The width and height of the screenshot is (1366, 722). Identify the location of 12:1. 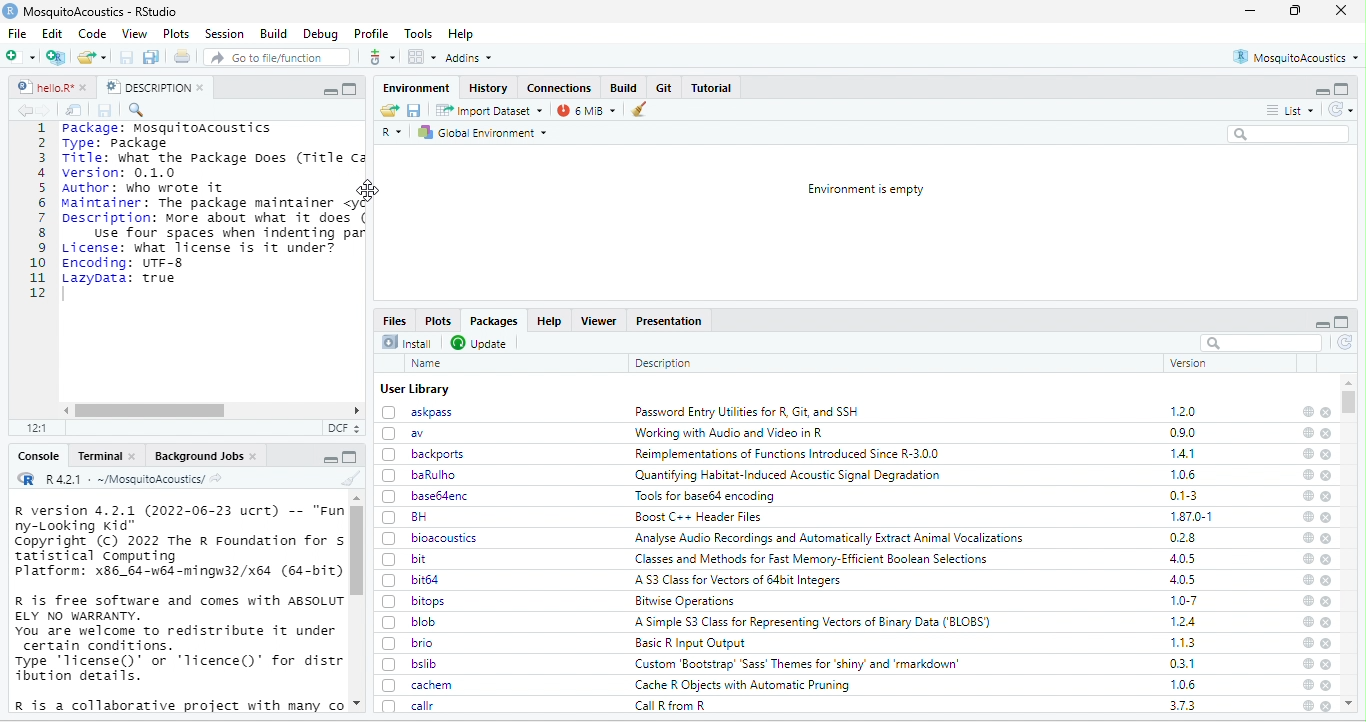
(40, 427).